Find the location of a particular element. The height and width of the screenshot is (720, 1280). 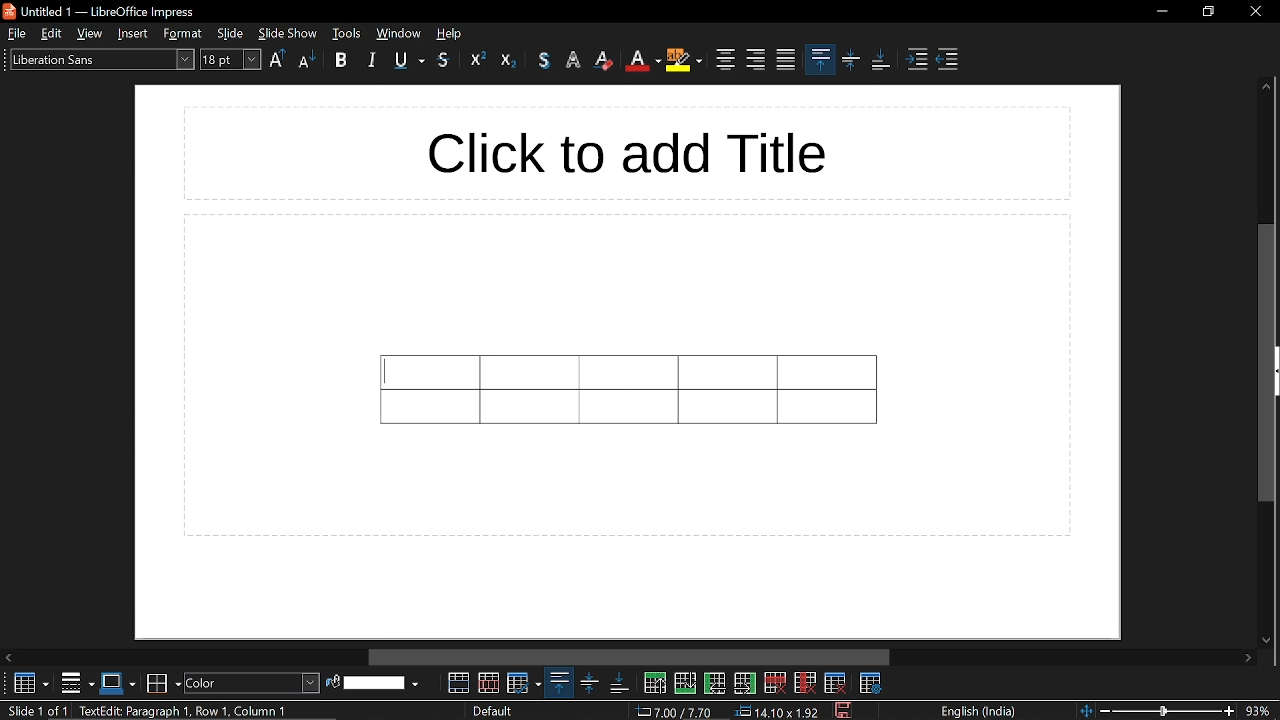

align top is located at coordinates (821, 59).